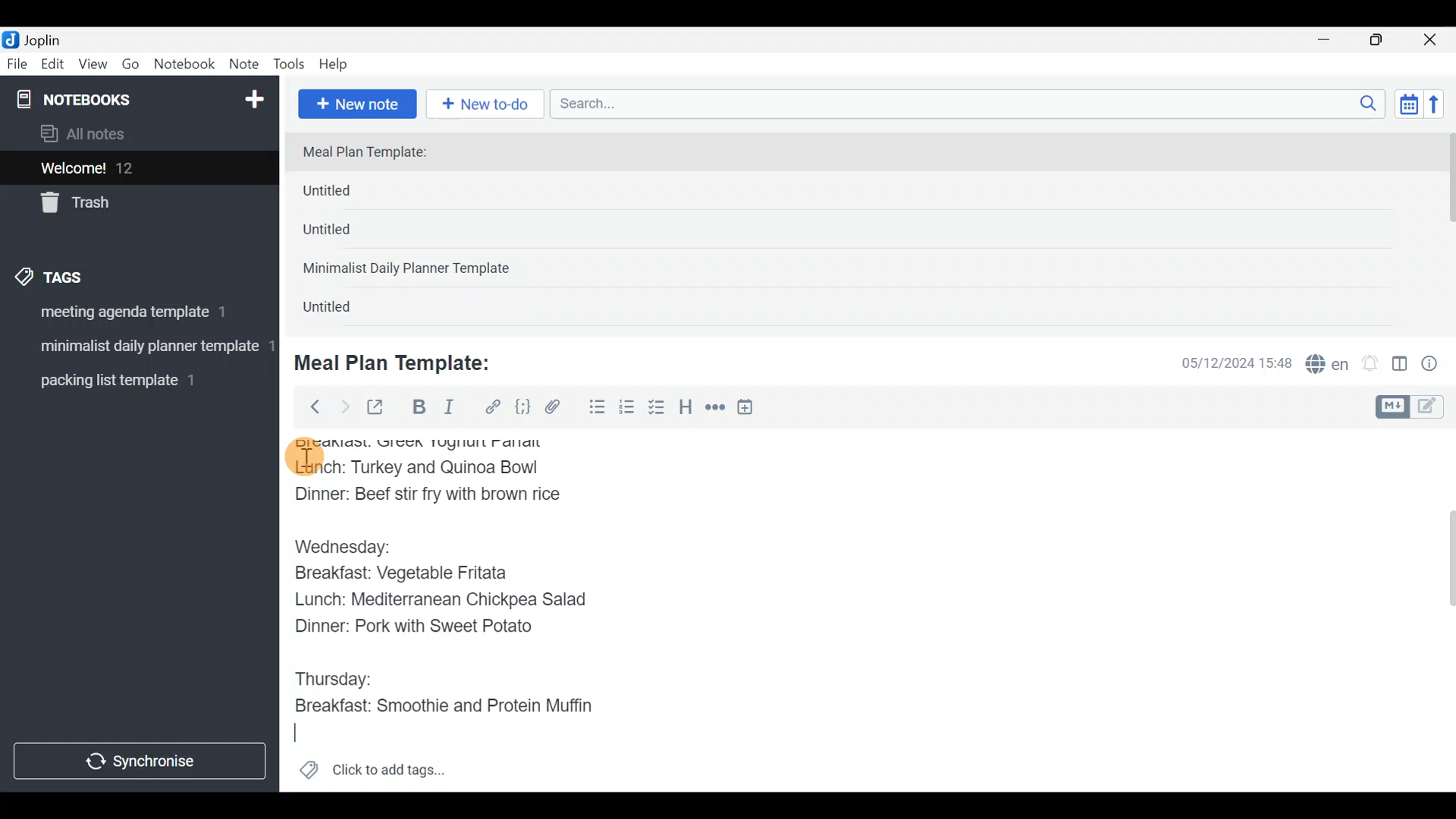 Image resolution: width=1456 pixels, height=819 pixels. What do you see at coordinates (136, 135) in the screenshot?
I see `All notes` at bounding box center [136, 135].